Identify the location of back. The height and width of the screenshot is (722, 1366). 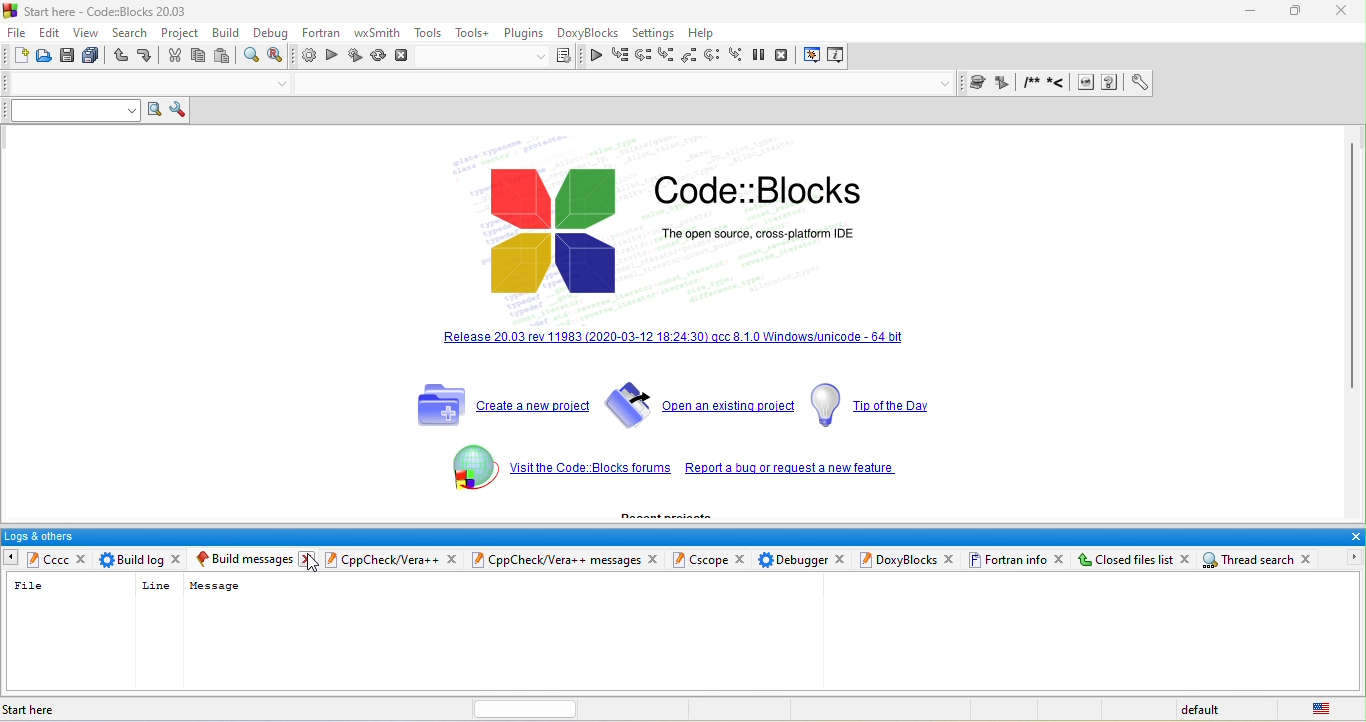
(9, 556).